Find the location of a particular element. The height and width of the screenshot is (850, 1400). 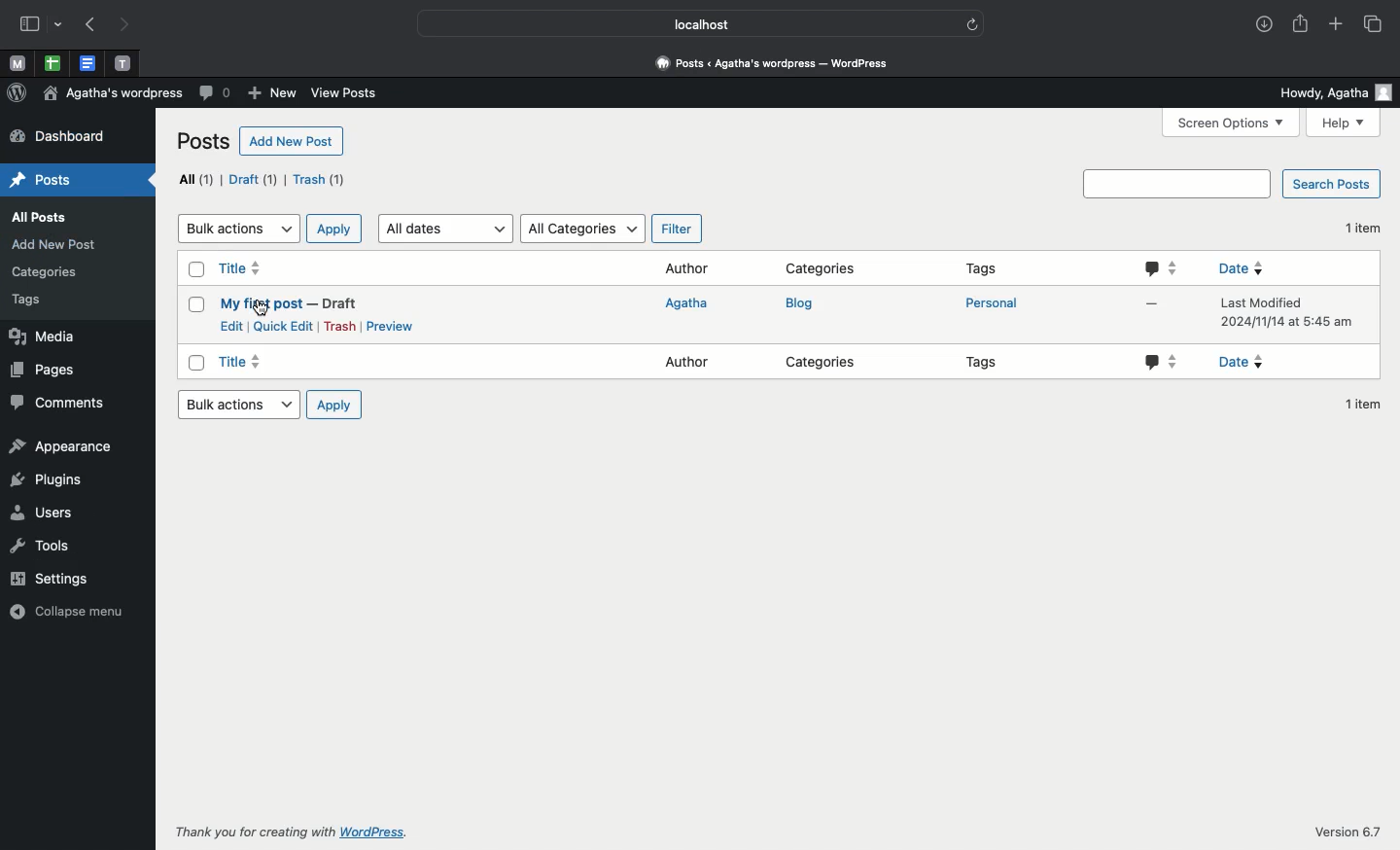

1 item is located at coordinates (1357, 408).